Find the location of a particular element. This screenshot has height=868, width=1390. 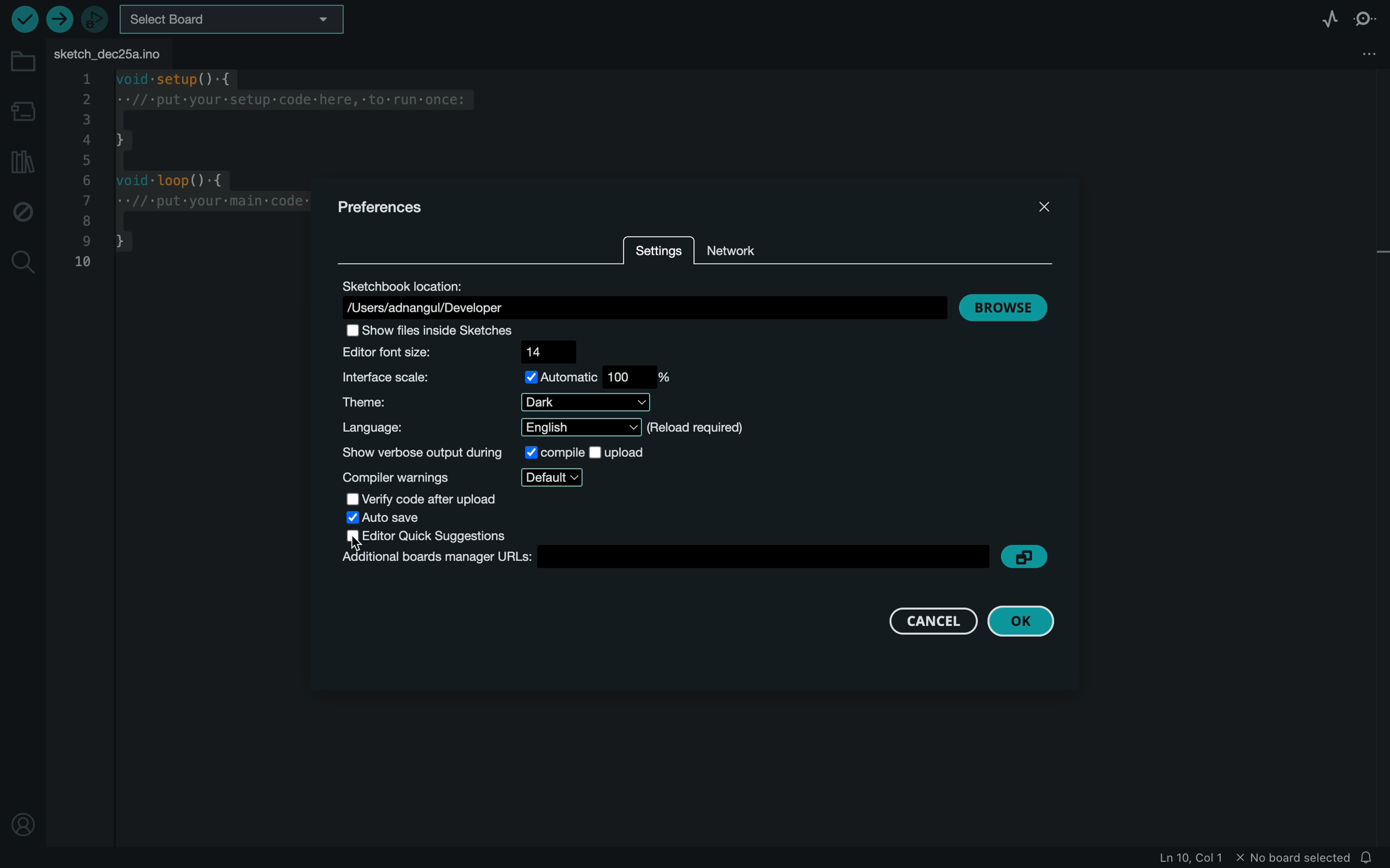

verify  code is located at coordinates (424, 498).